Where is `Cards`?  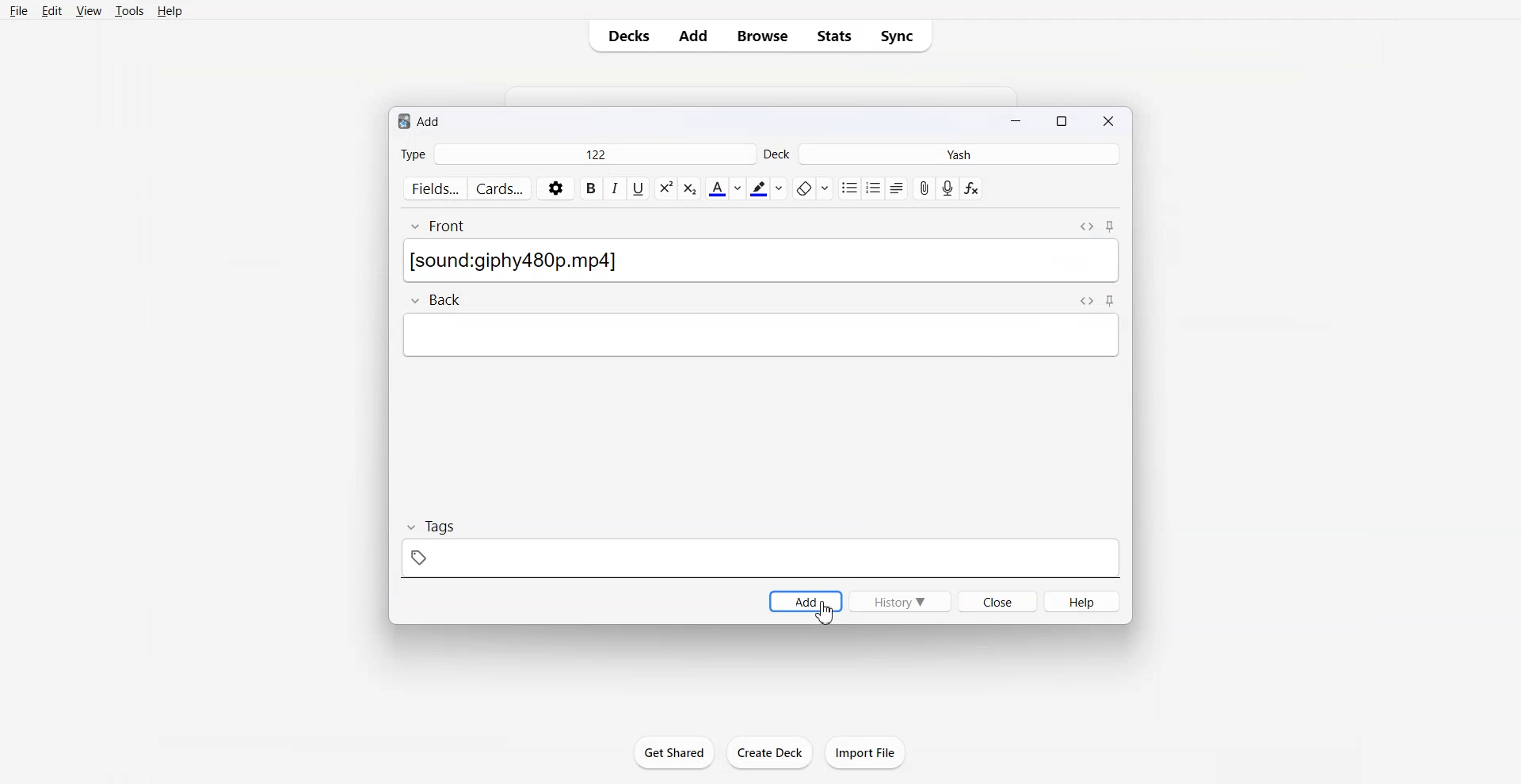 Cards is located at coordinates (501, 188).